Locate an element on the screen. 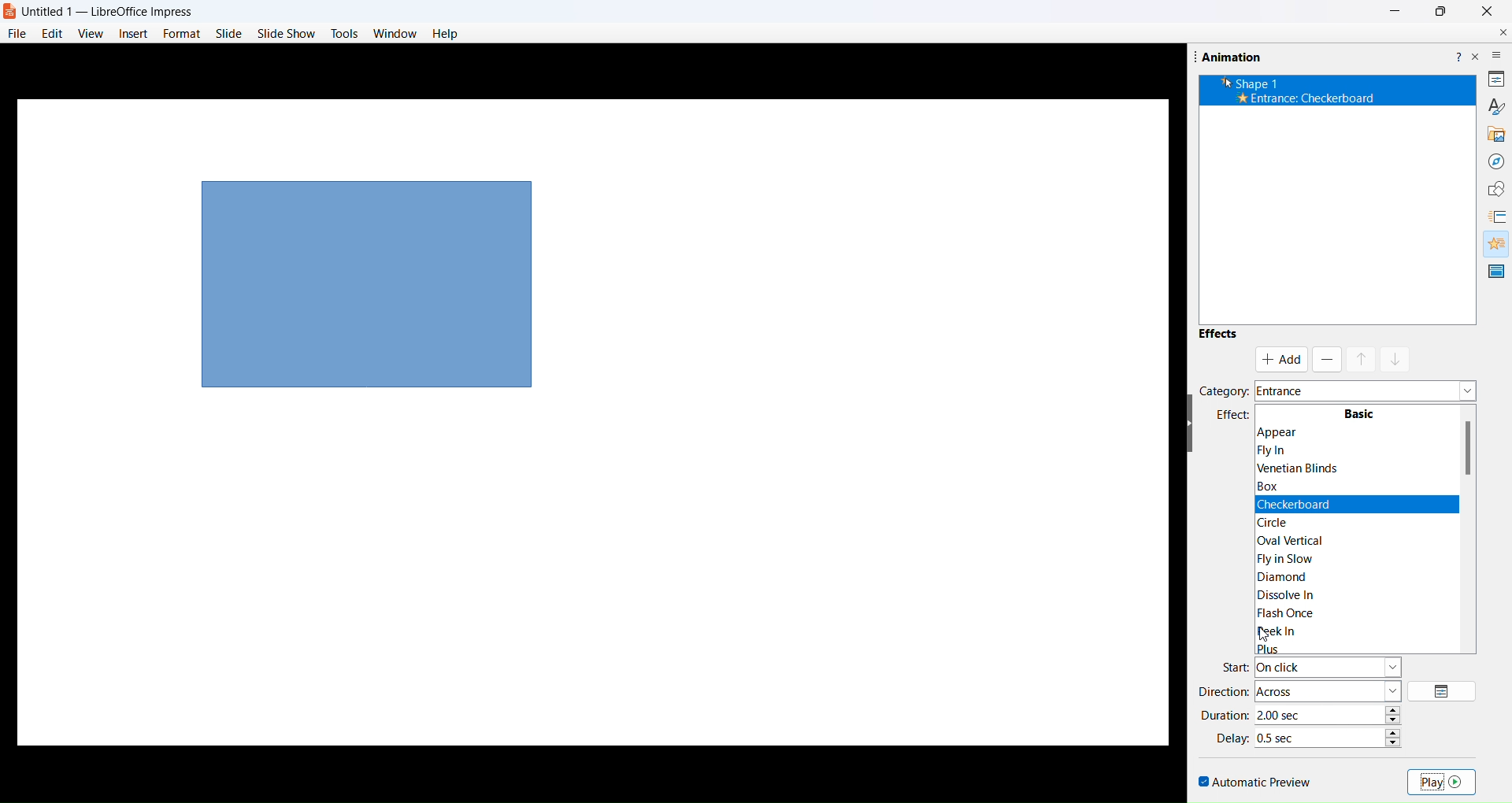  close document is located at coordinates (1500, 31).